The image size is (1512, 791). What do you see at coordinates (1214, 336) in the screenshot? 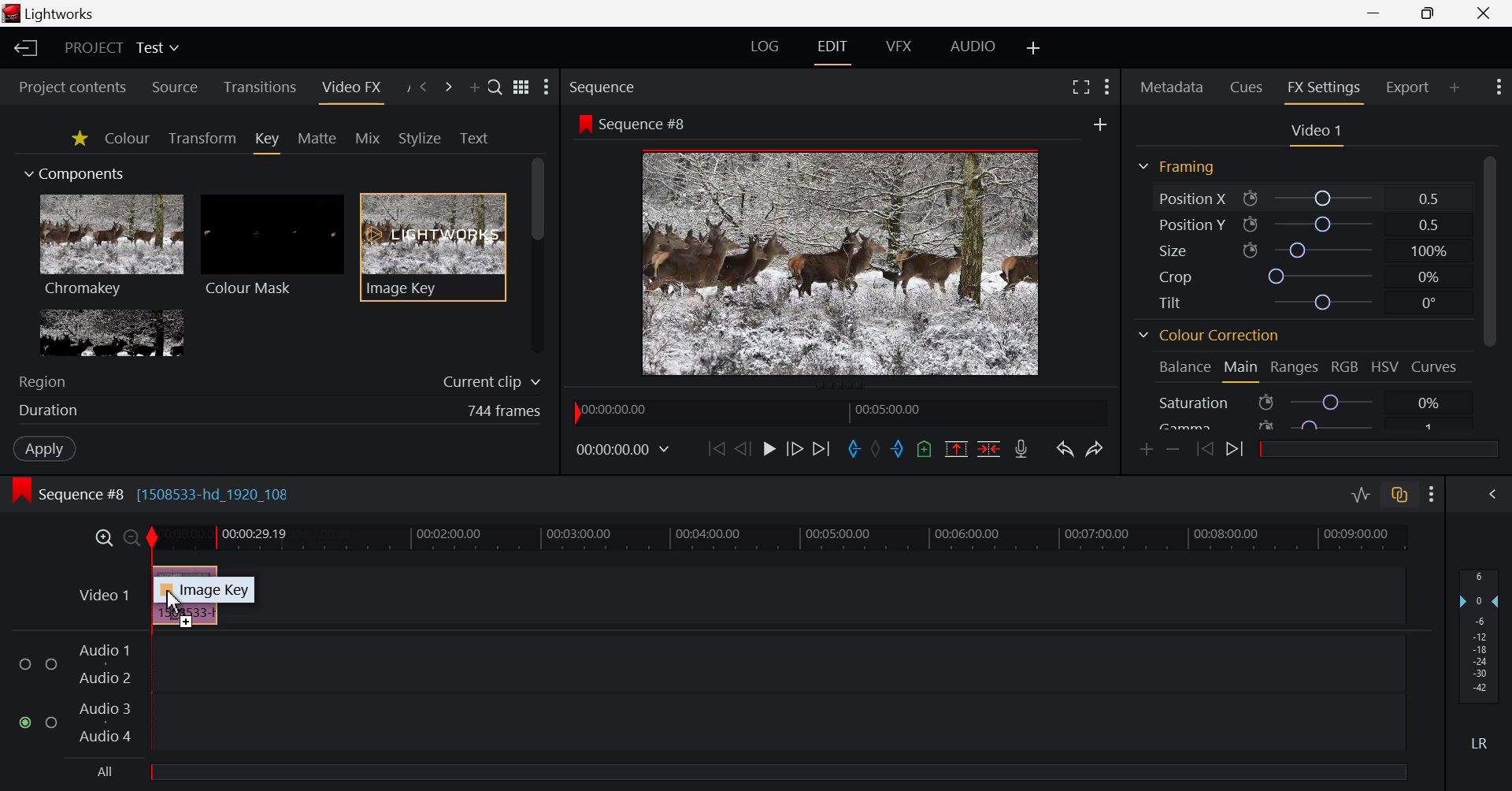
I see `Colour Correction` at bounding box center [1214, 336].